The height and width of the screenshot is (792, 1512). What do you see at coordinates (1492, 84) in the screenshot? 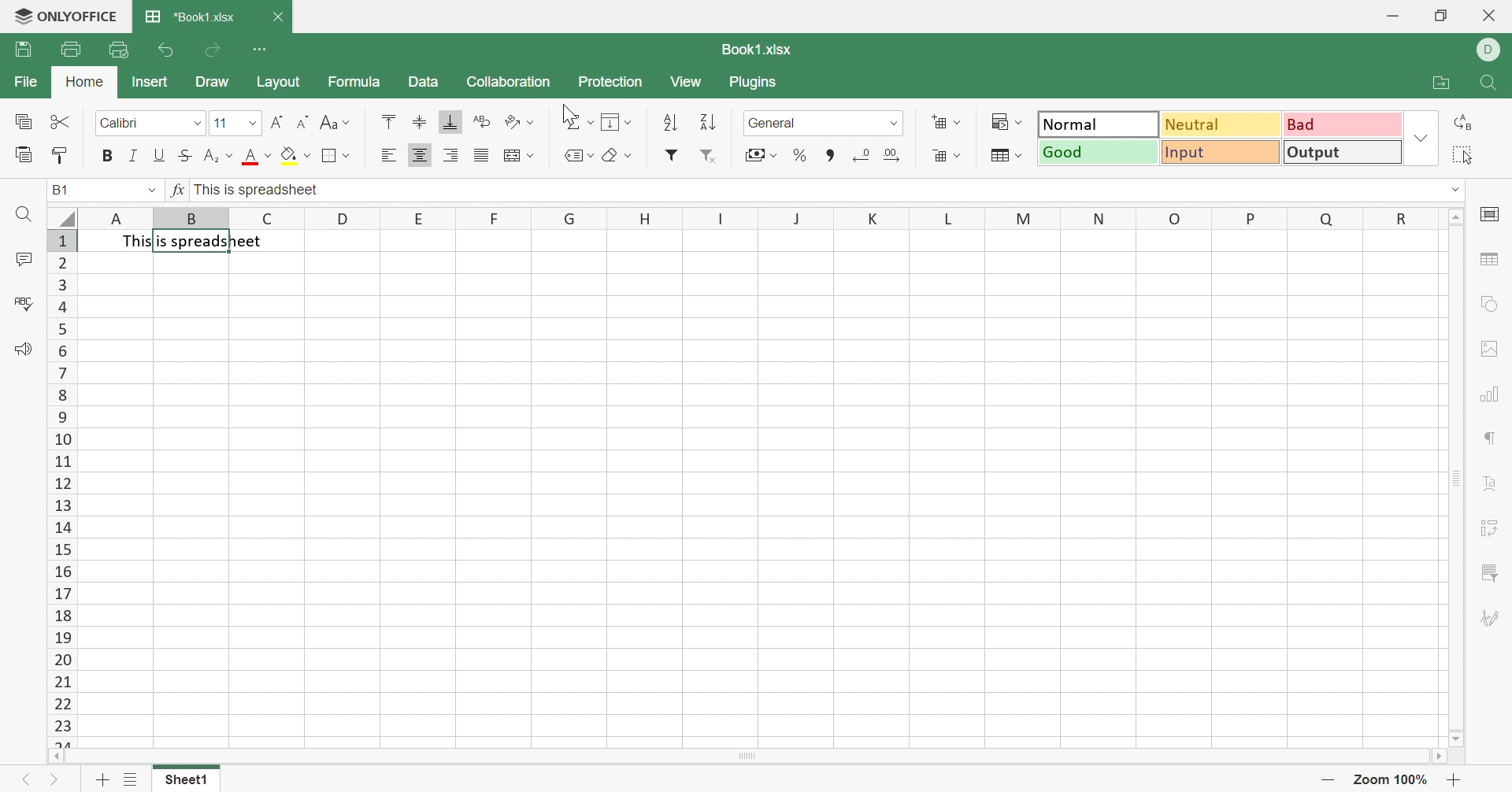
I see `Find` at bounding box center [1492, 84].